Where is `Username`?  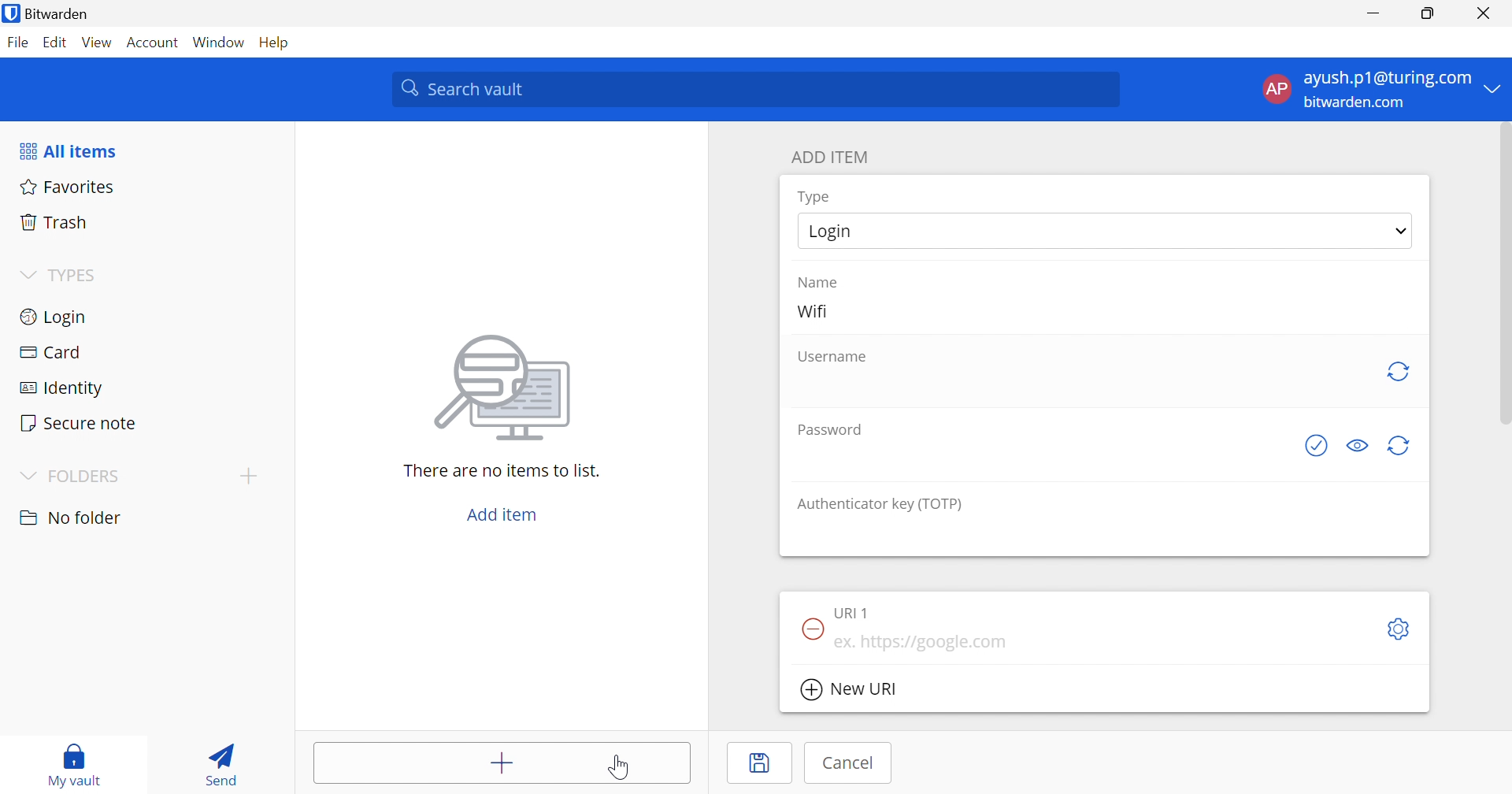
Username is located at coordinates (834, 358).